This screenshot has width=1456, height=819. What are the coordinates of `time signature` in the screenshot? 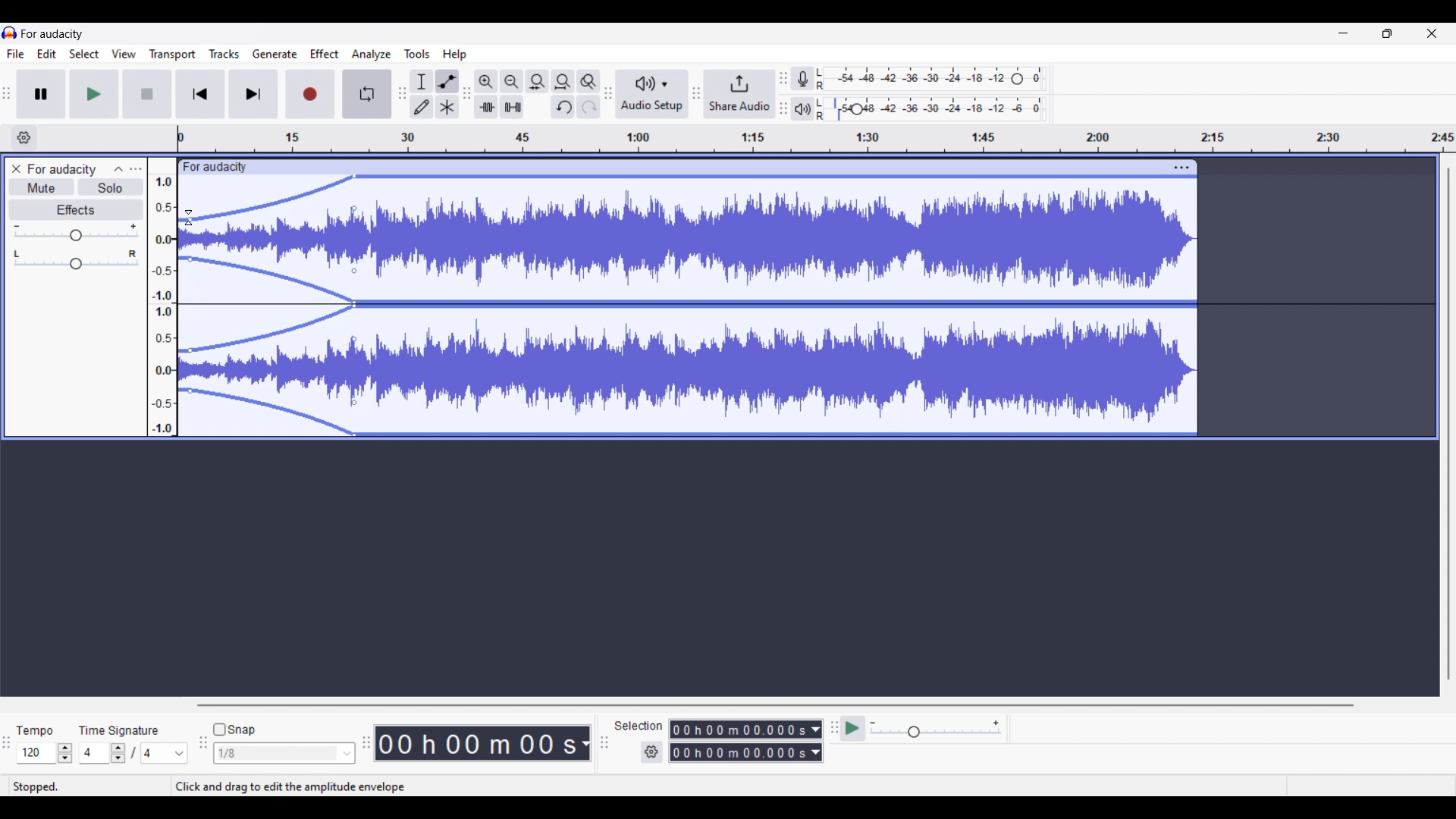 It's located at (118, 731).